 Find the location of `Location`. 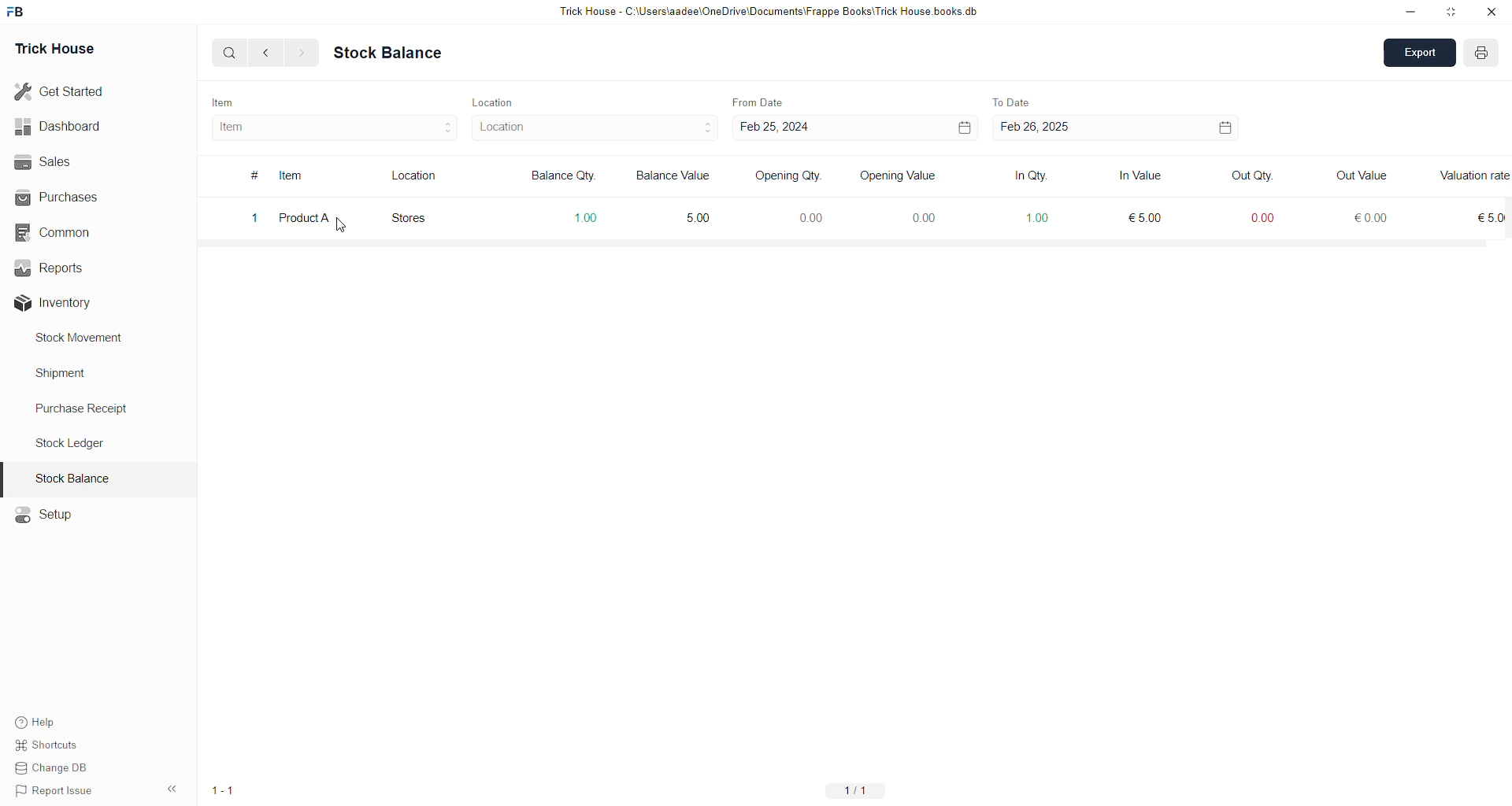

Location is located at coordinates (491, 104).